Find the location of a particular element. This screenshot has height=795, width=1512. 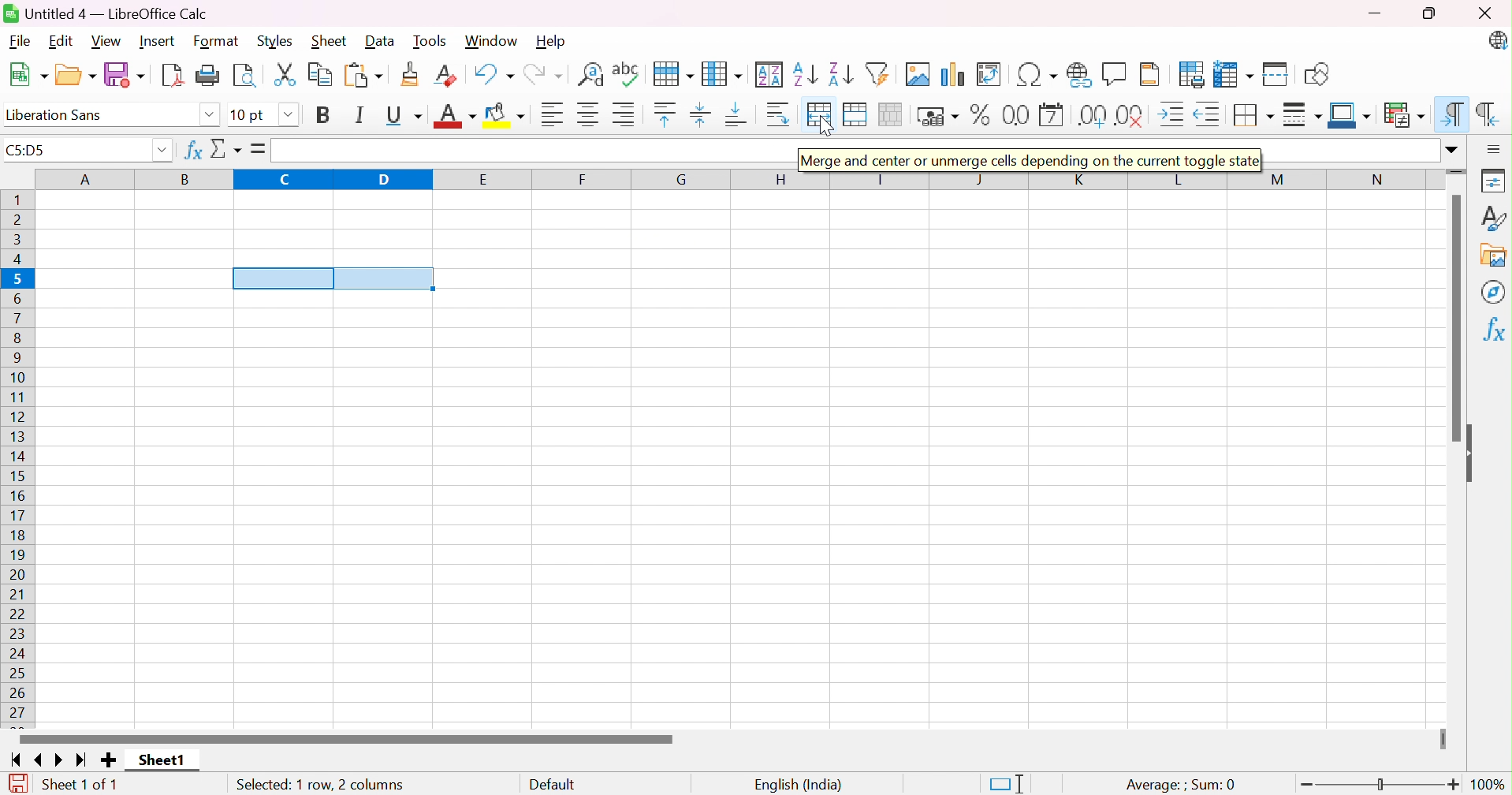

Sort is located at coordinates (771, 73).